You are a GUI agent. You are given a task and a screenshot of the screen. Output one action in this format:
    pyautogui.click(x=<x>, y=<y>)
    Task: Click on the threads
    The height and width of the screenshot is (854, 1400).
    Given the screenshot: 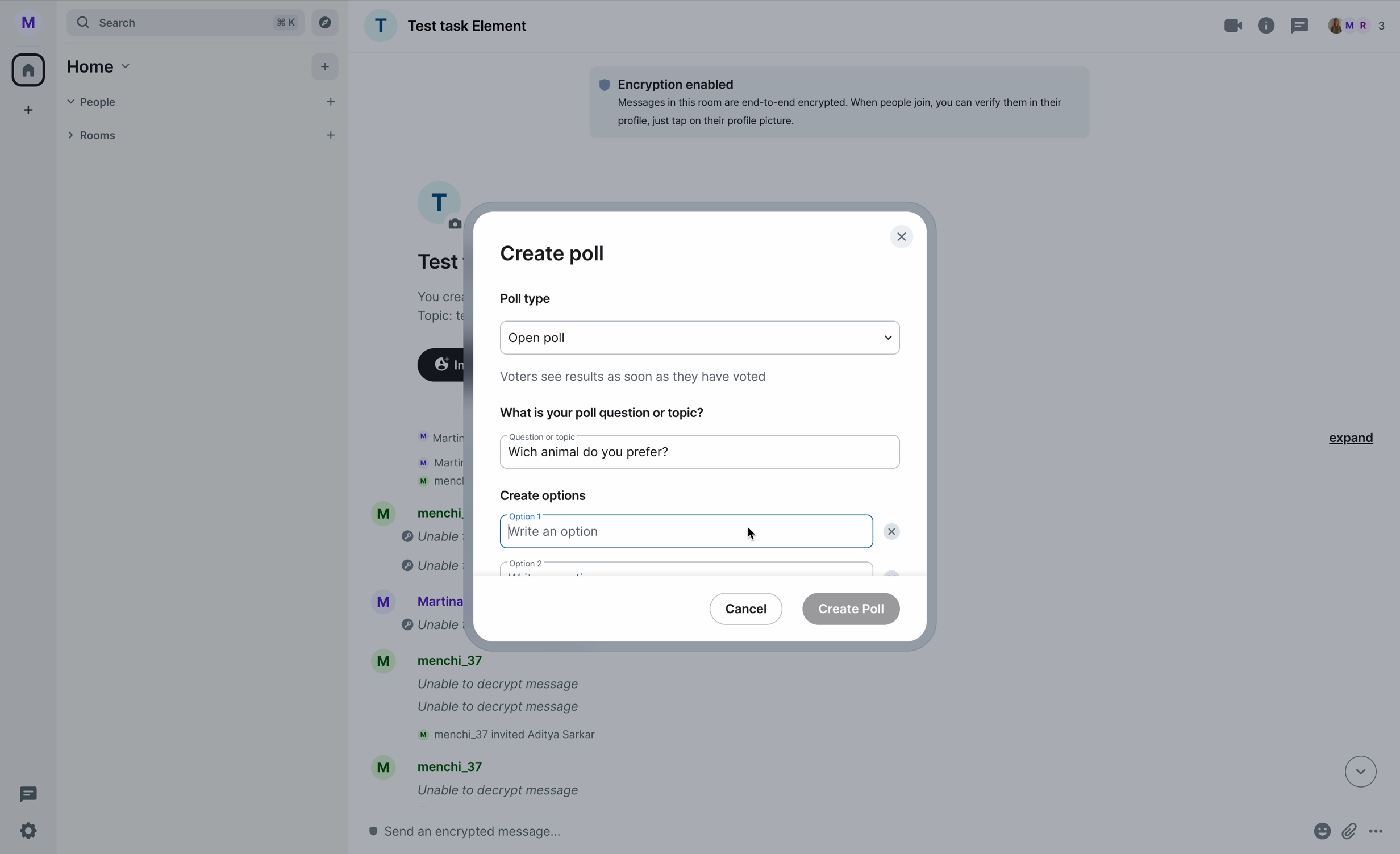 What is the action you would take?
    pyautogui.click(x=1298, y=27)
    